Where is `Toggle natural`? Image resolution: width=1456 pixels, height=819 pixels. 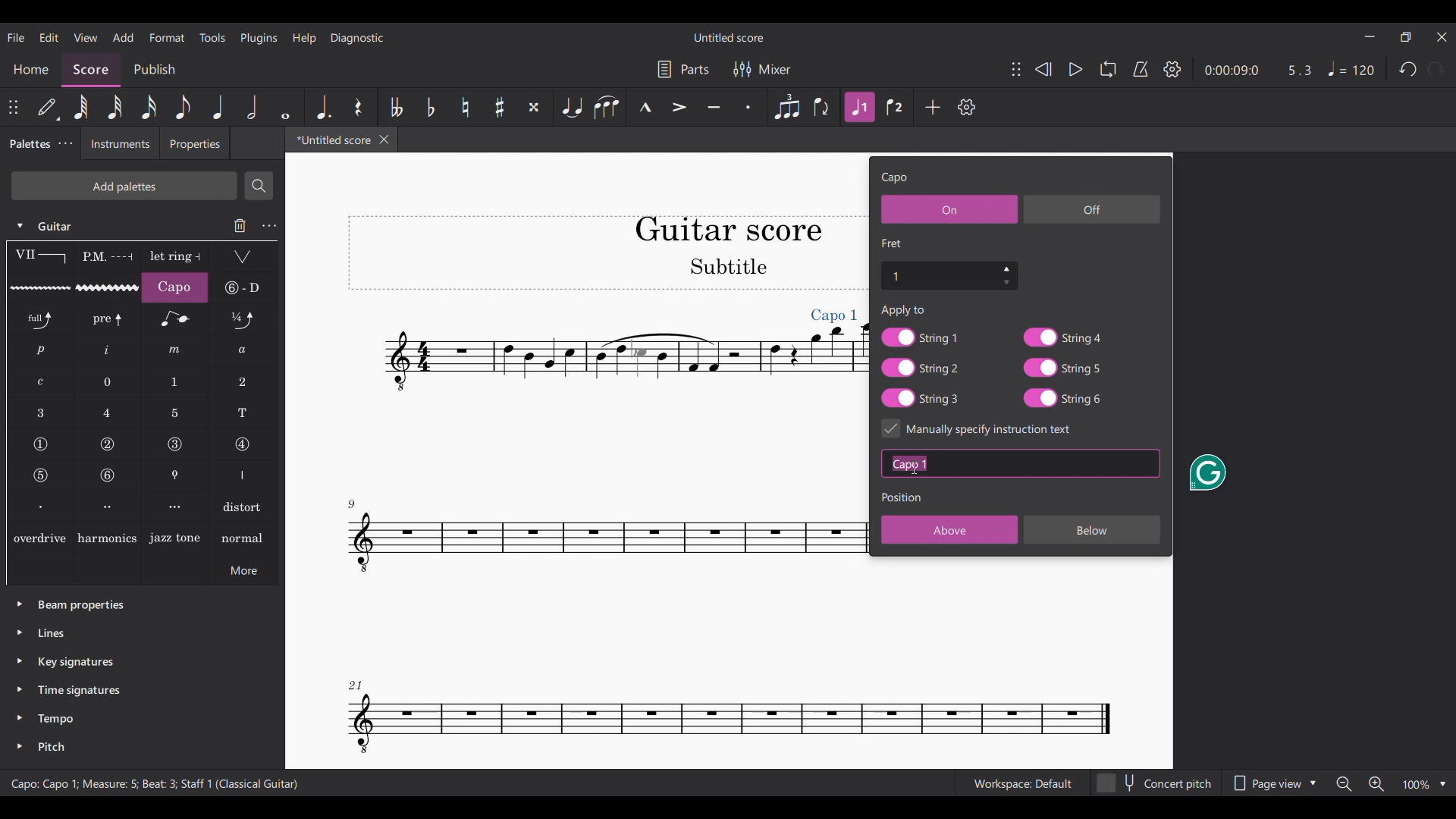
Toggle natural is located at coordinates (465, 107).